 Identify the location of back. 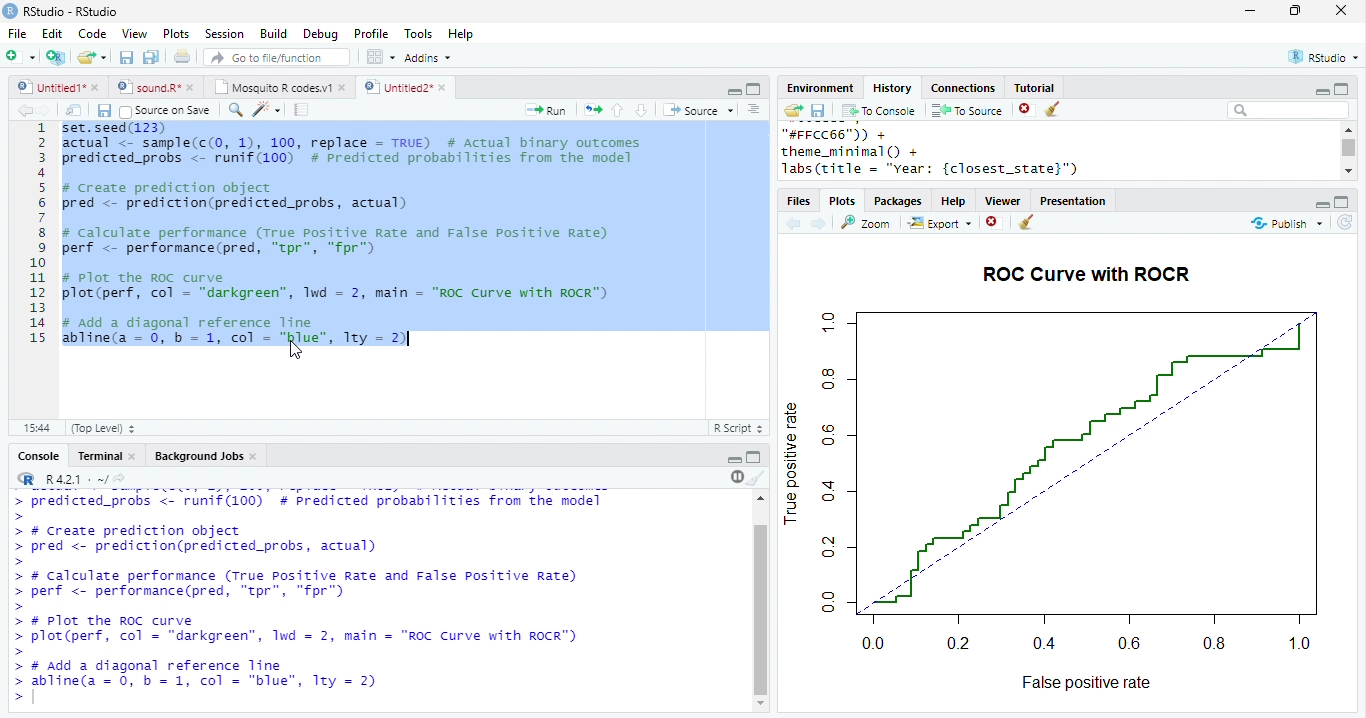
(793, 225).